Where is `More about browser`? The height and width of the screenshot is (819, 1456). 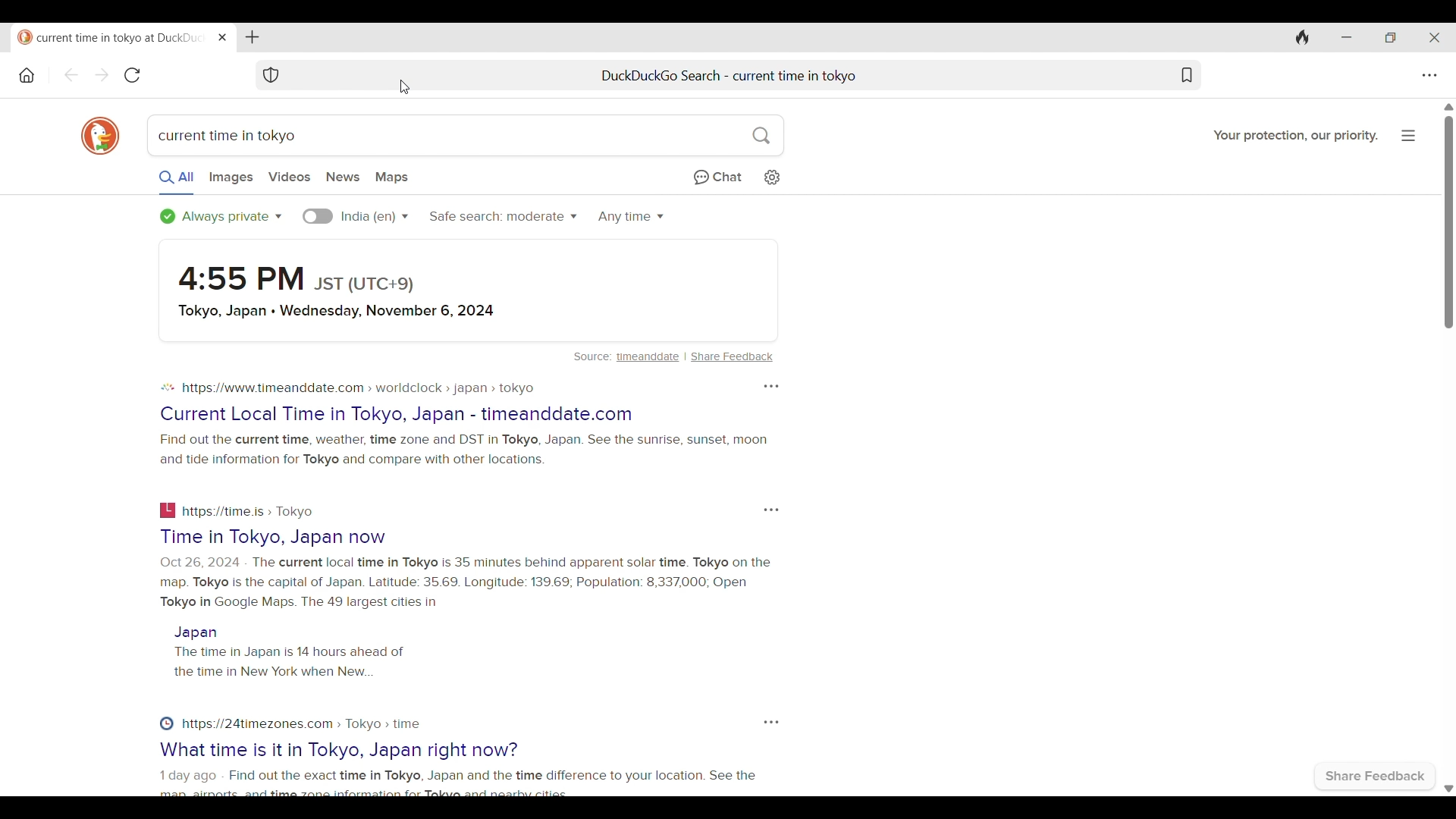
More about browser is located at coordinates (1408, 135).